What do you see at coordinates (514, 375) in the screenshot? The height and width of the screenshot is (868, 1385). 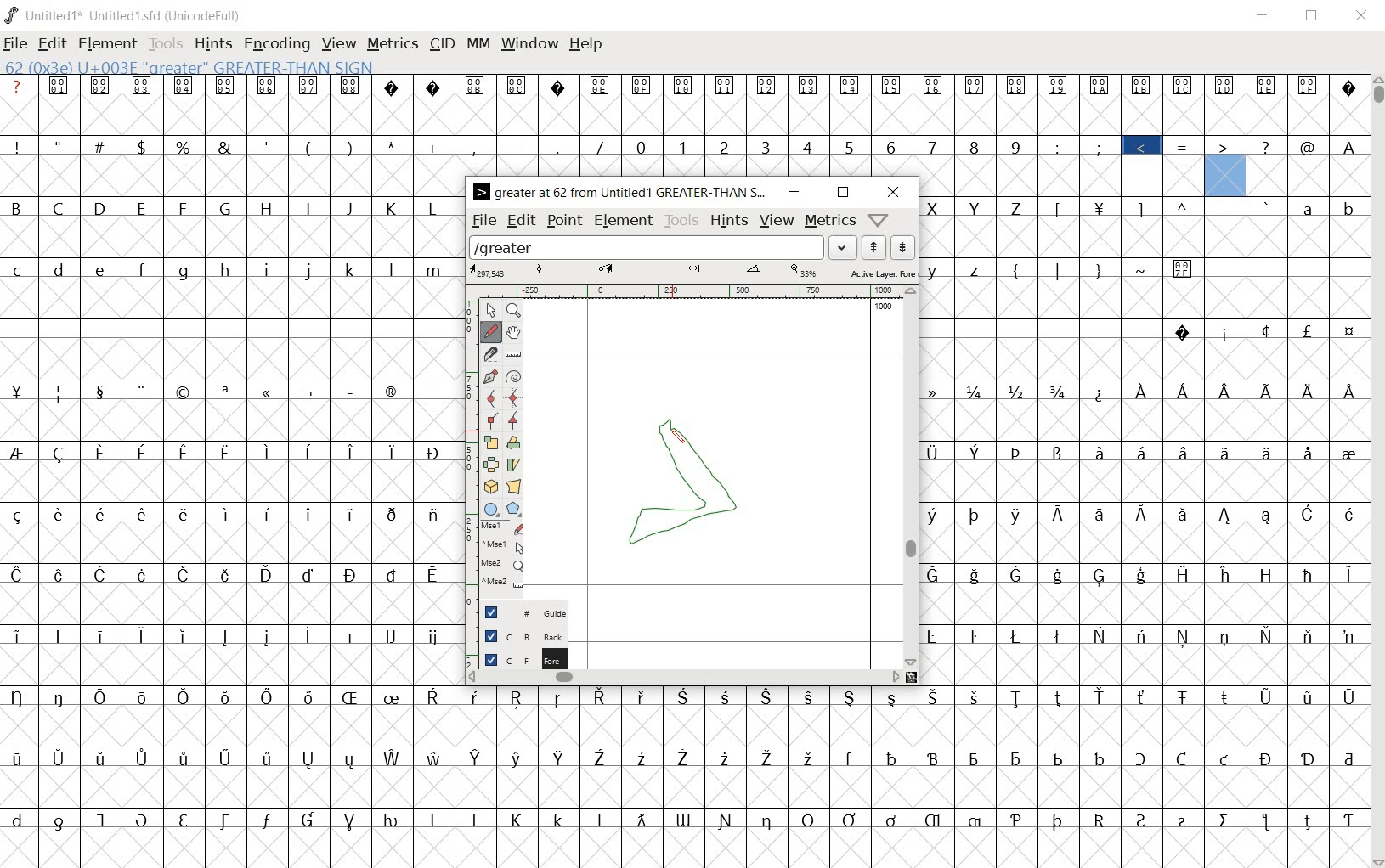 I see `change whether spiro is active or not` at bounding box center [514, 375].